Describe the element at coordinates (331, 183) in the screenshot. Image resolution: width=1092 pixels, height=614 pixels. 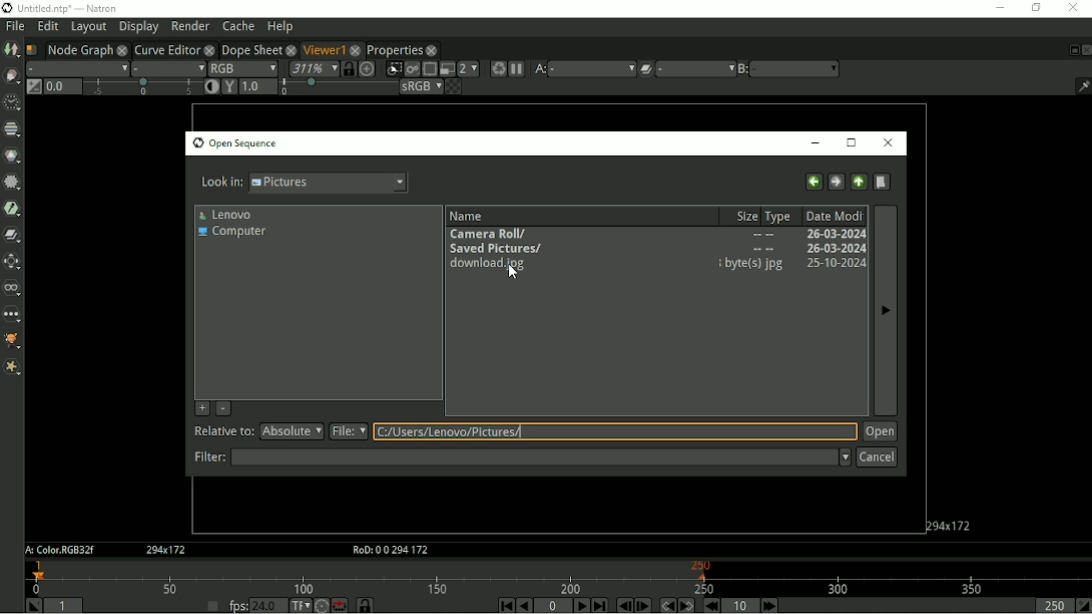
I see `pictures` at that location.